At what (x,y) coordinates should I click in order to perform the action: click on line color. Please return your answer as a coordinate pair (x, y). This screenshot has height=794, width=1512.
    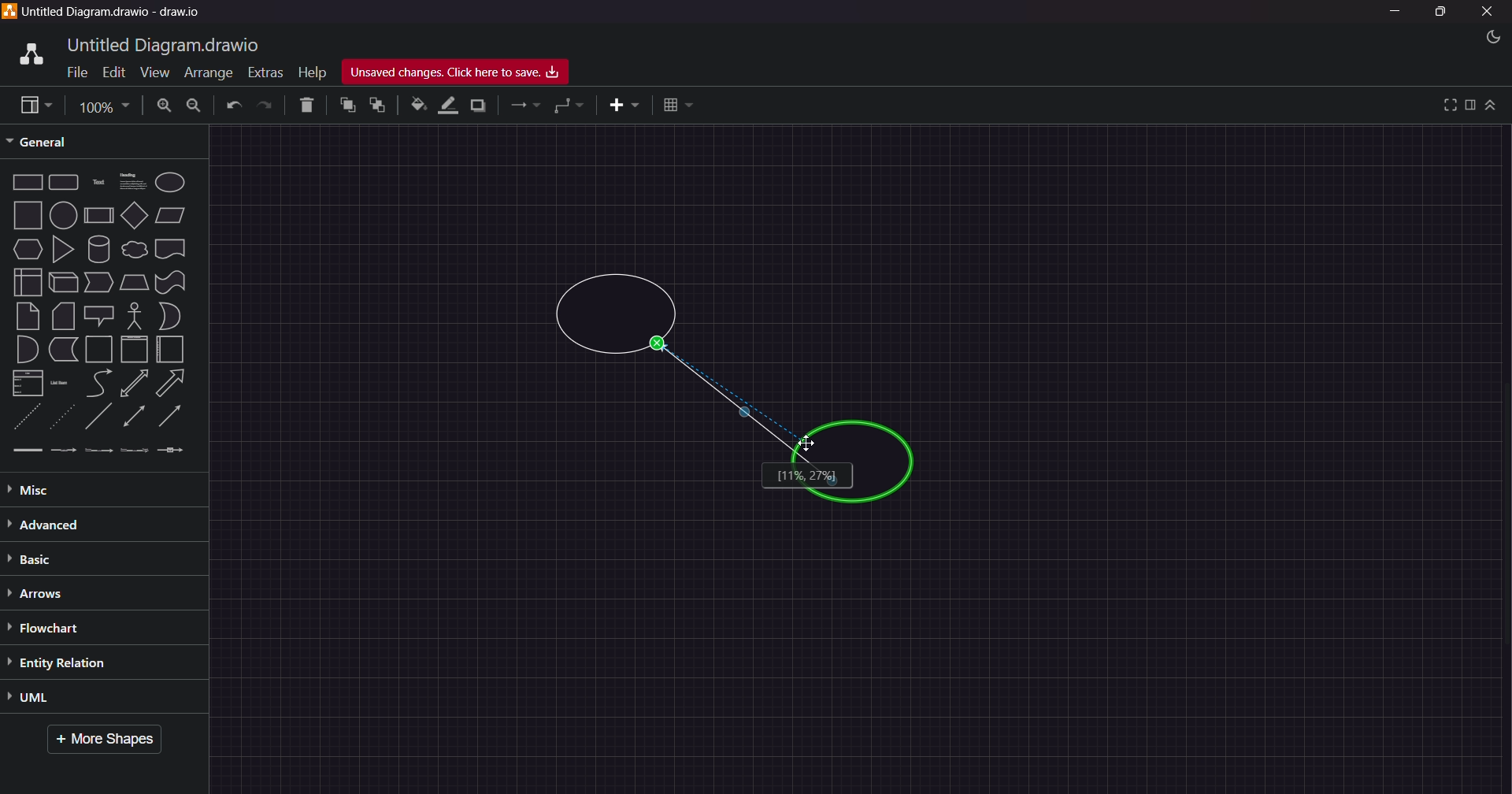
    Looking at the image, I should click on (448, 105).